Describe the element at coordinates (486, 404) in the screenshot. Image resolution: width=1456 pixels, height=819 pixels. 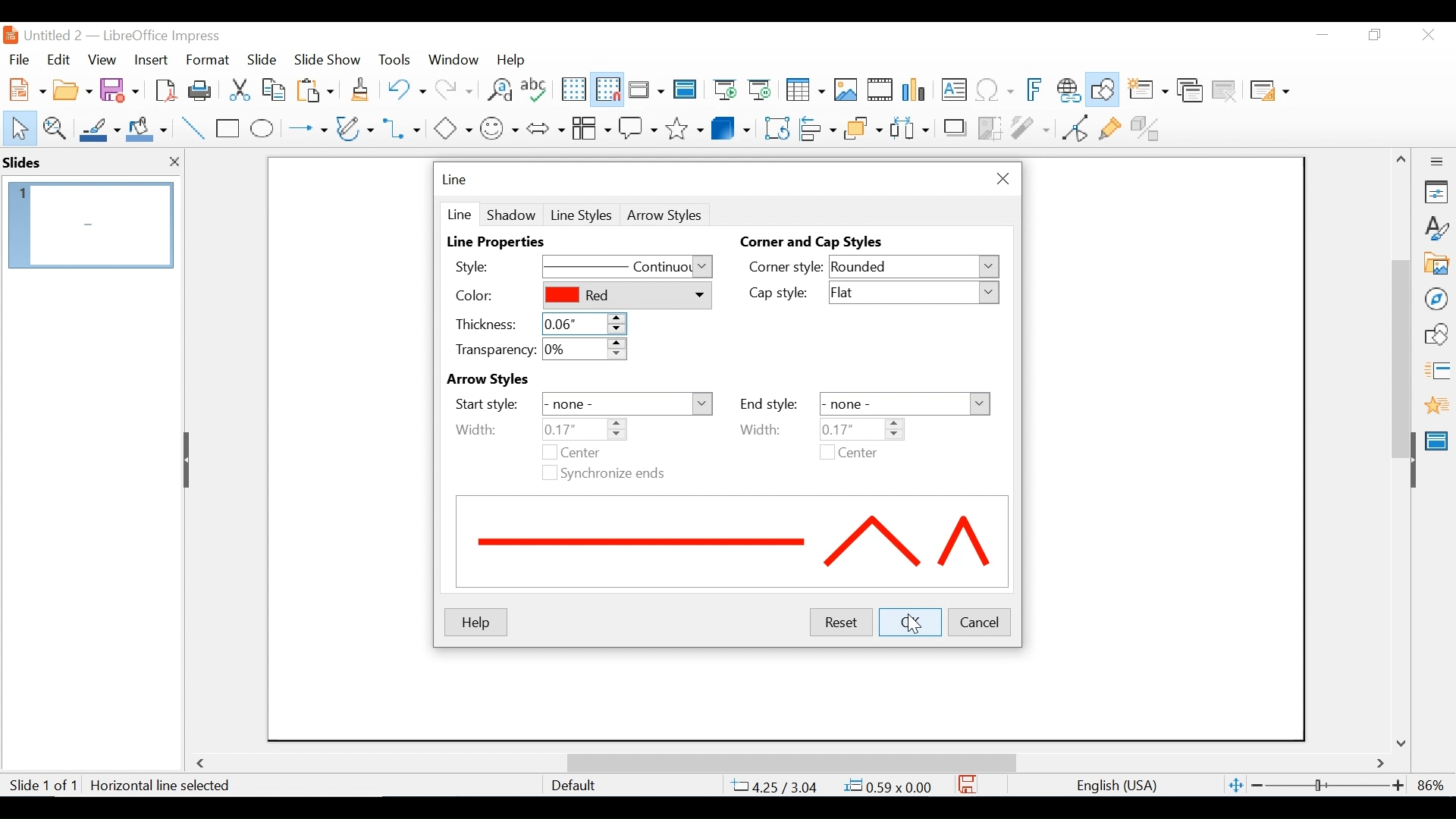
I see `Start Style` at that location.